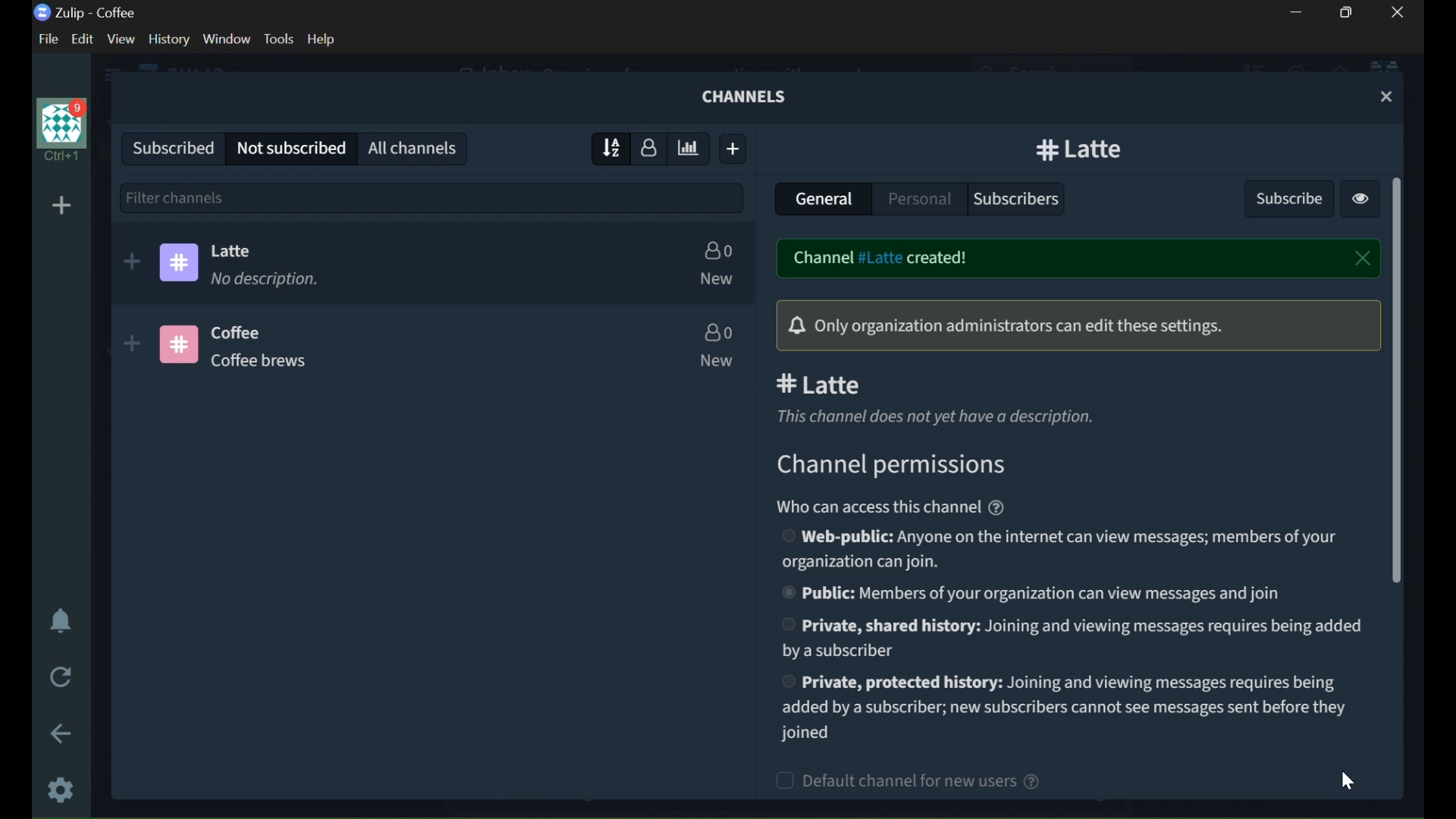 Image resolution: width=1456 pixels, height=819 pixels. I want to click on VIEW, so click(120, 39).